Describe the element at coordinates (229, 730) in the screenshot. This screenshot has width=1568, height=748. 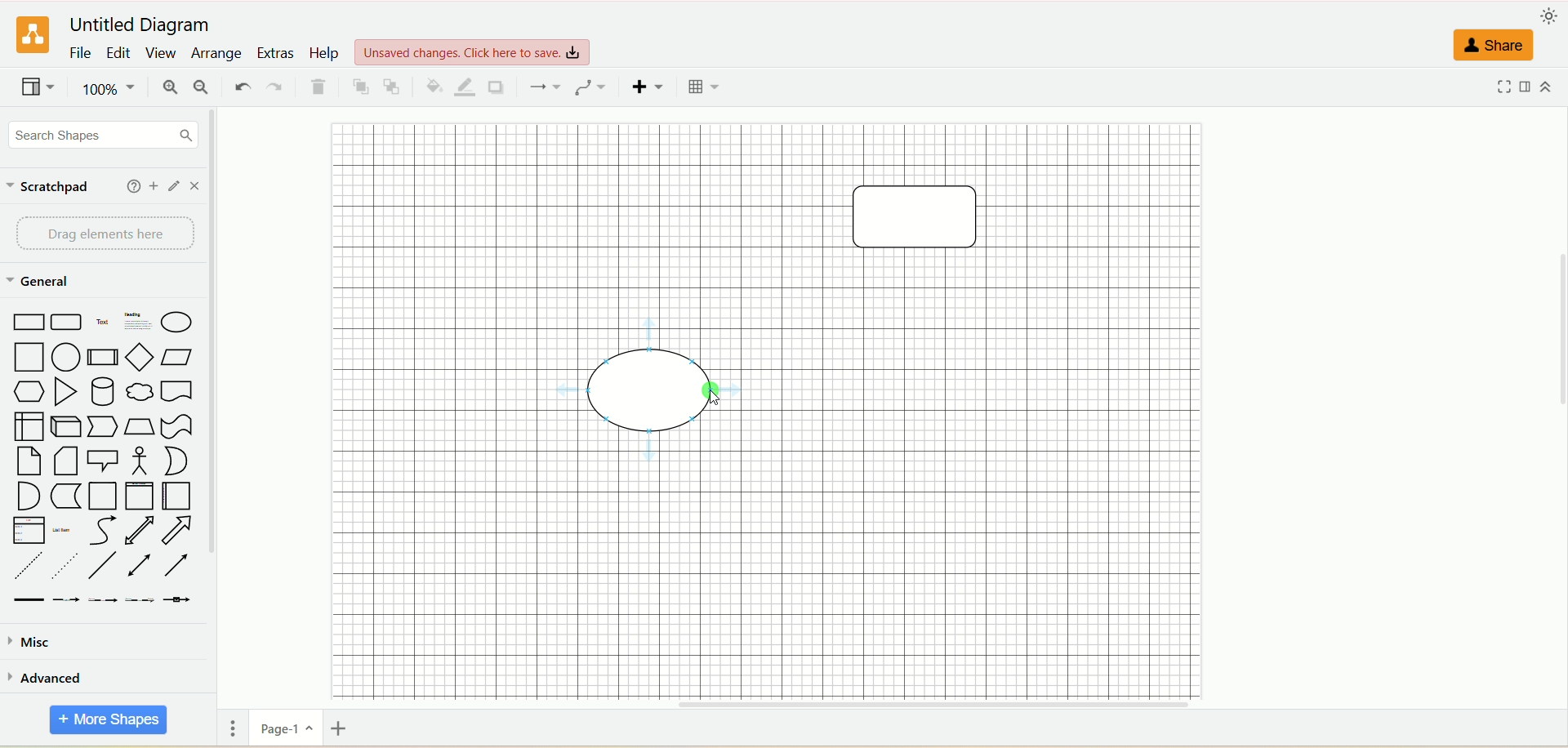
I see `pages` at that location.